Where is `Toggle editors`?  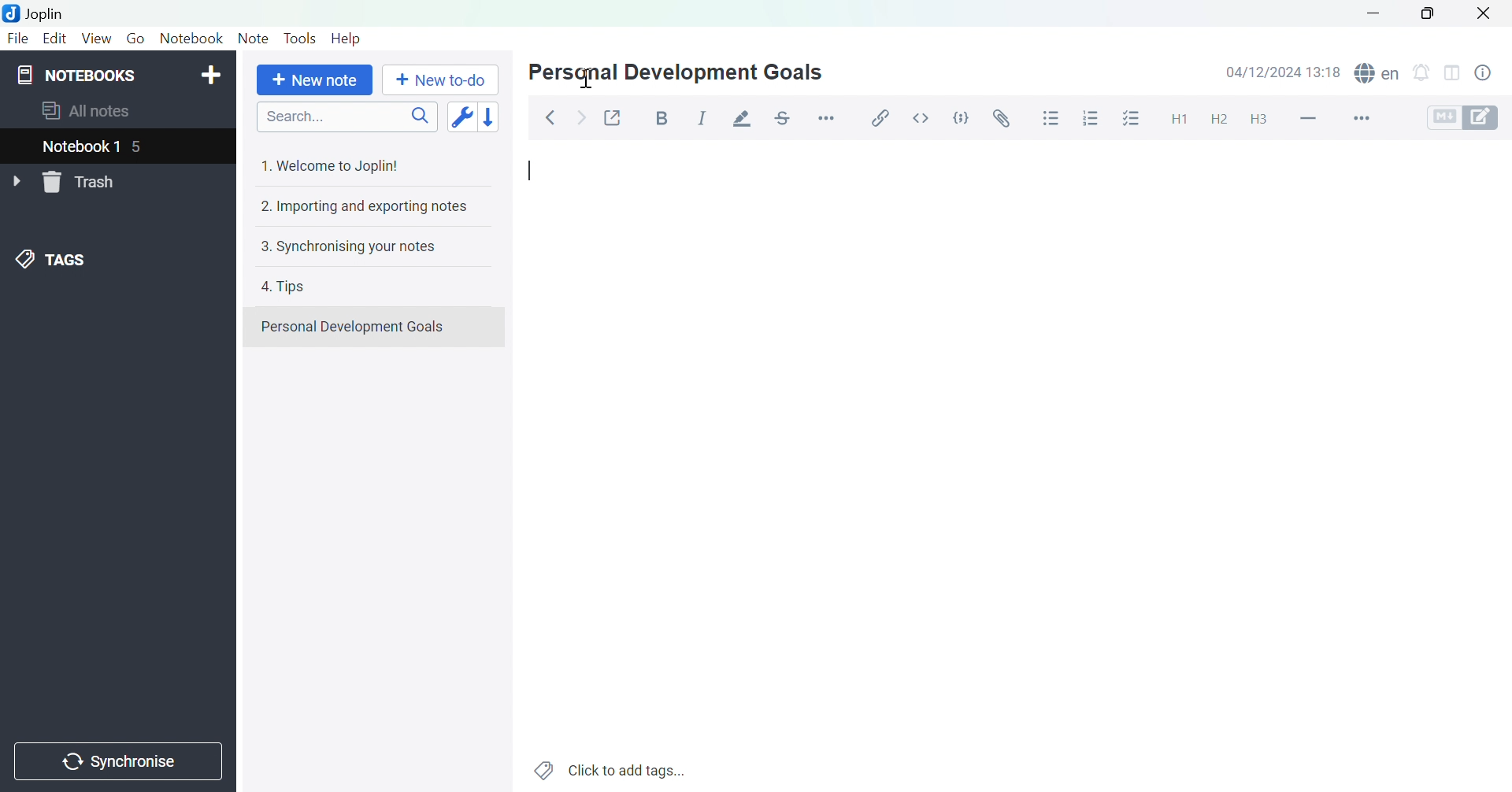
Toggle editors is located at coordinates (1464, 120).